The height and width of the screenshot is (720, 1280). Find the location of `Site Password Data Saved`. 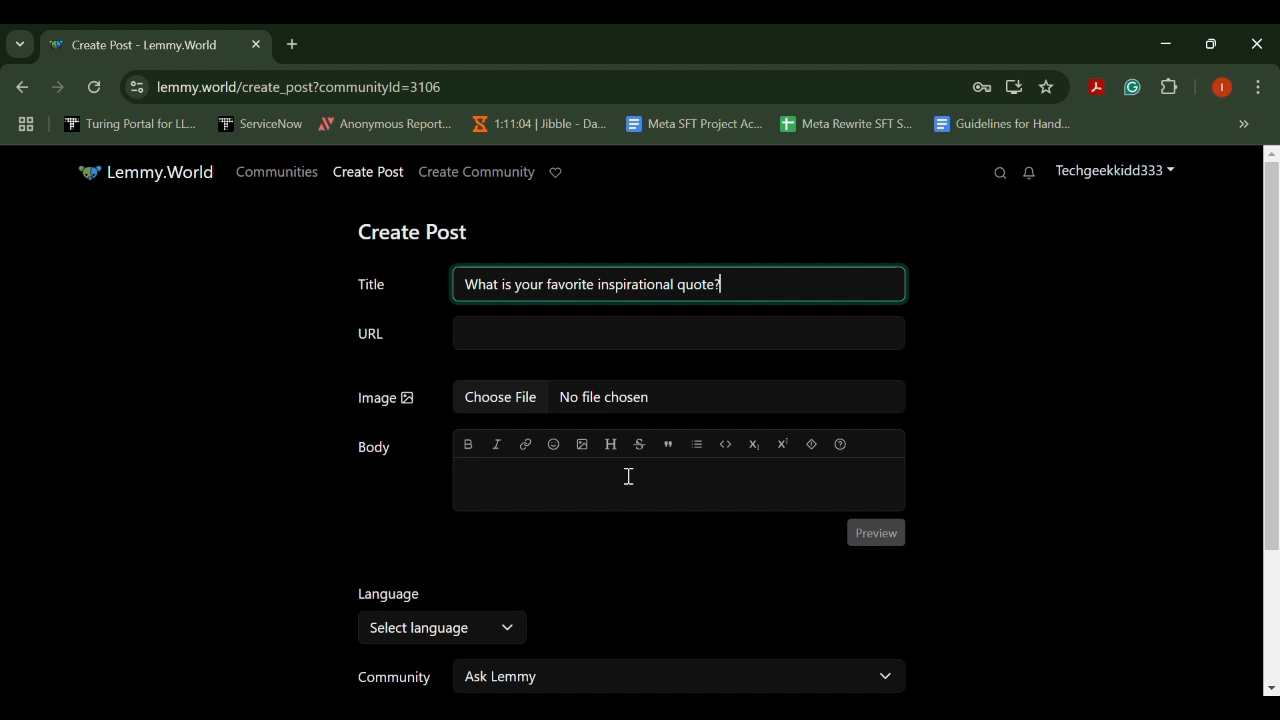

Site Password Data Saved is located at coordinates (982, 88).